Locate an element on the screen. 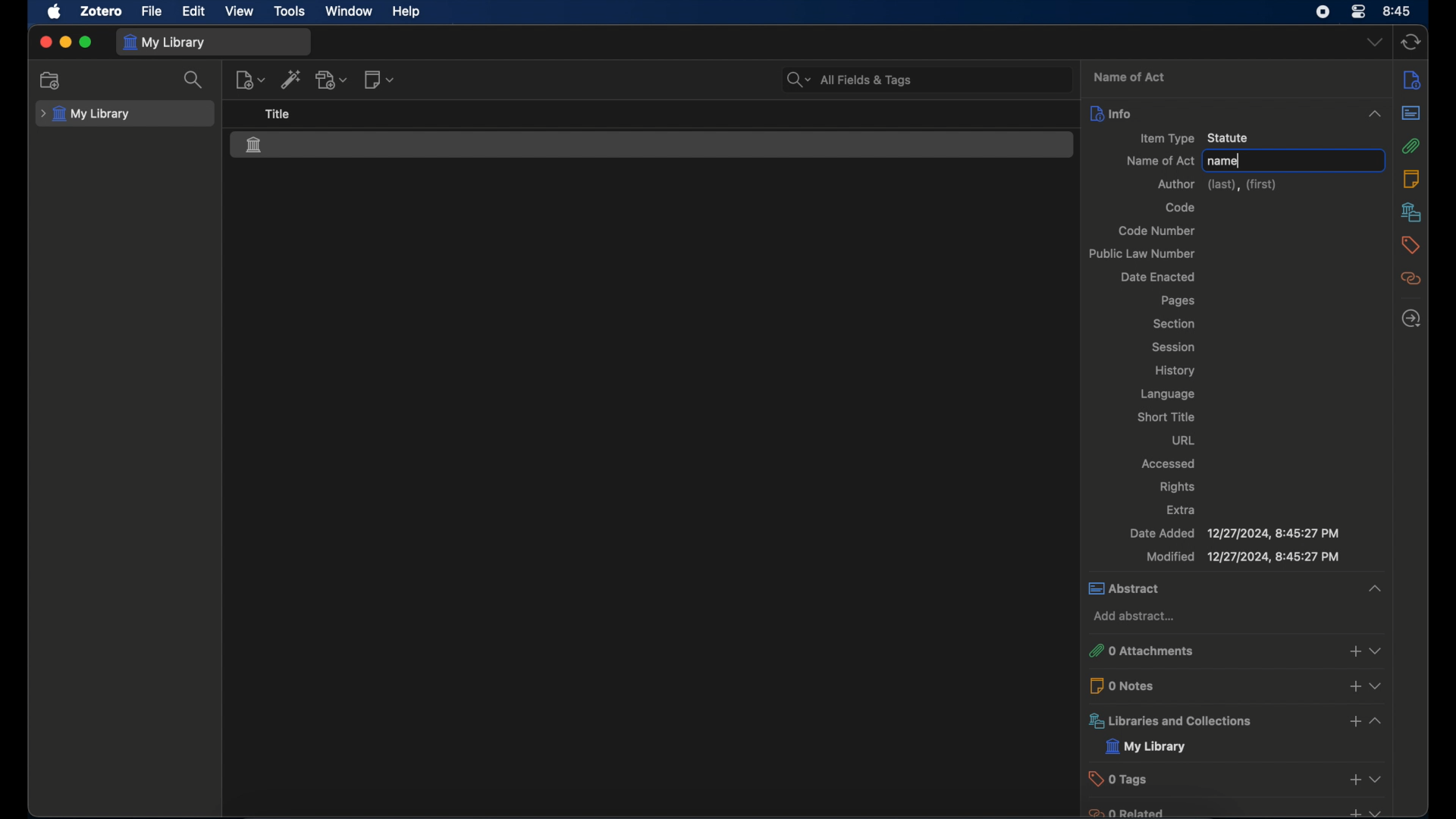 This screenshot has width=1456, height=819. collapse is located at coordinates (1373, 591).